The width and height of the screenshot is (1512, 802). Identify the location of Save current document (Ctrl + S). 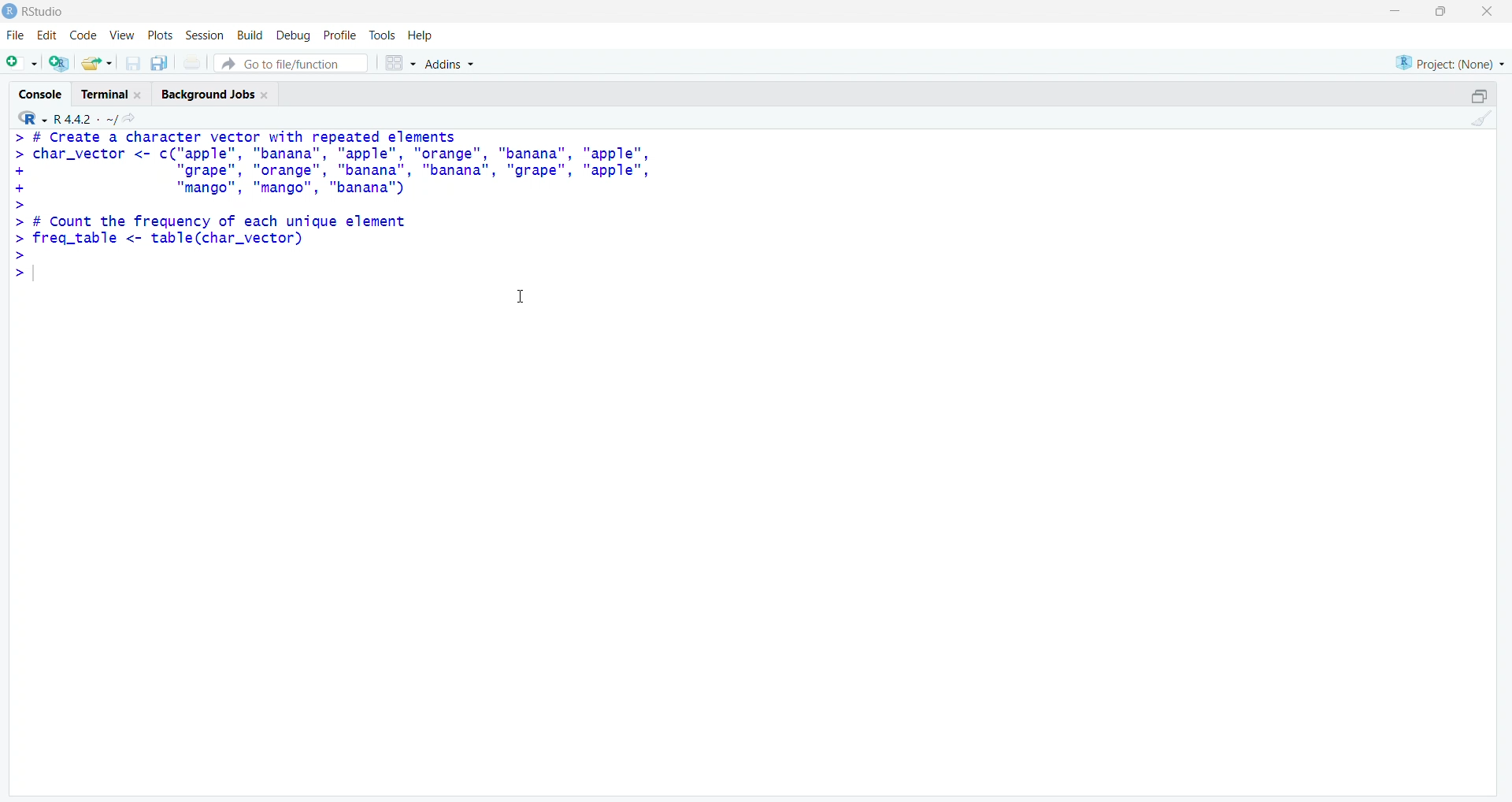
(132, 63).